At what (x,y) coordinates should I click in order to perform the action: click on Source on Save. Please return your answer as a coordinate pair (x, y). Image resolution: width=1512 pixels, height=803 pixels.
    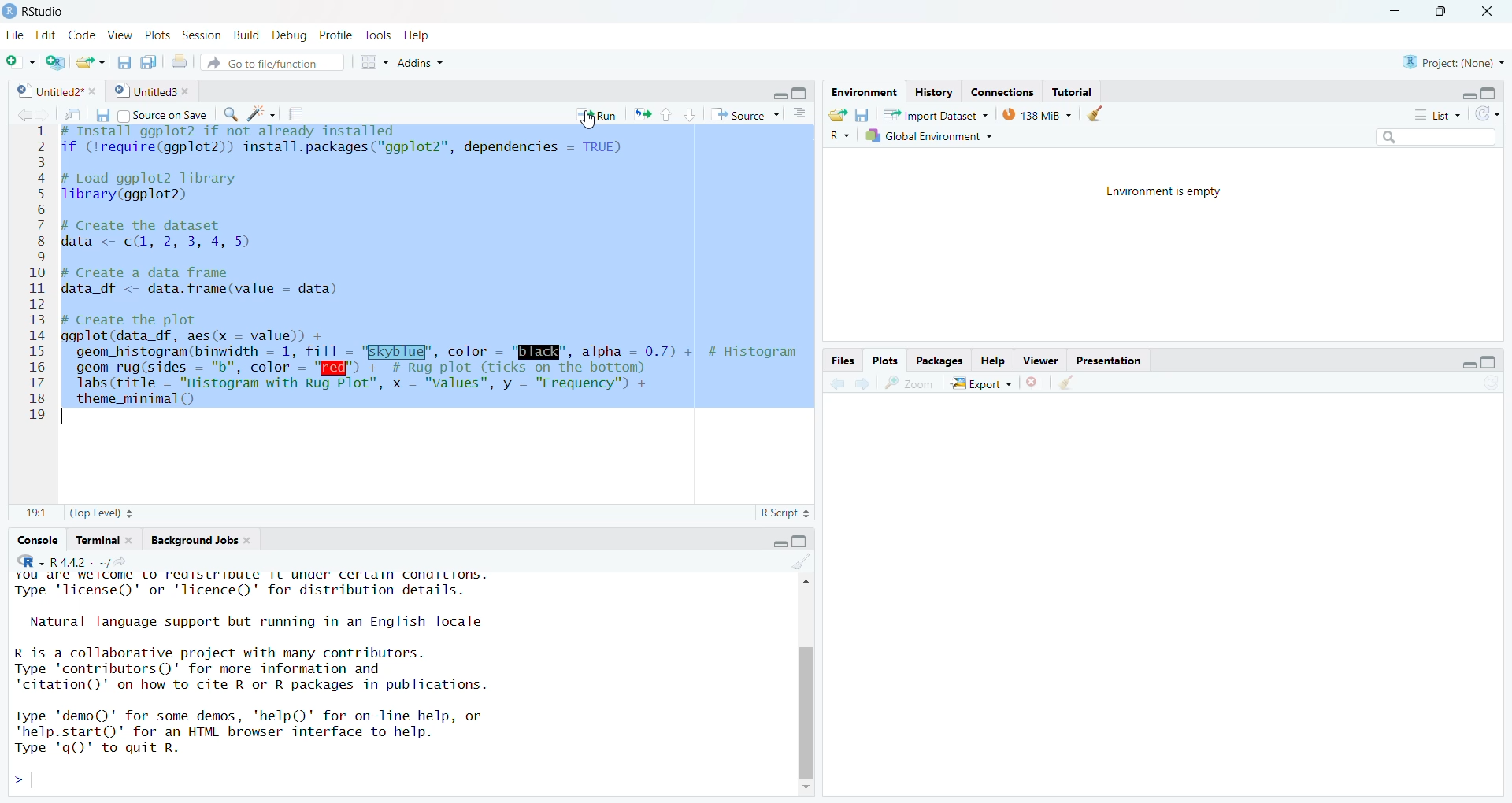
    Looking at the image, I should click on (166, 113).